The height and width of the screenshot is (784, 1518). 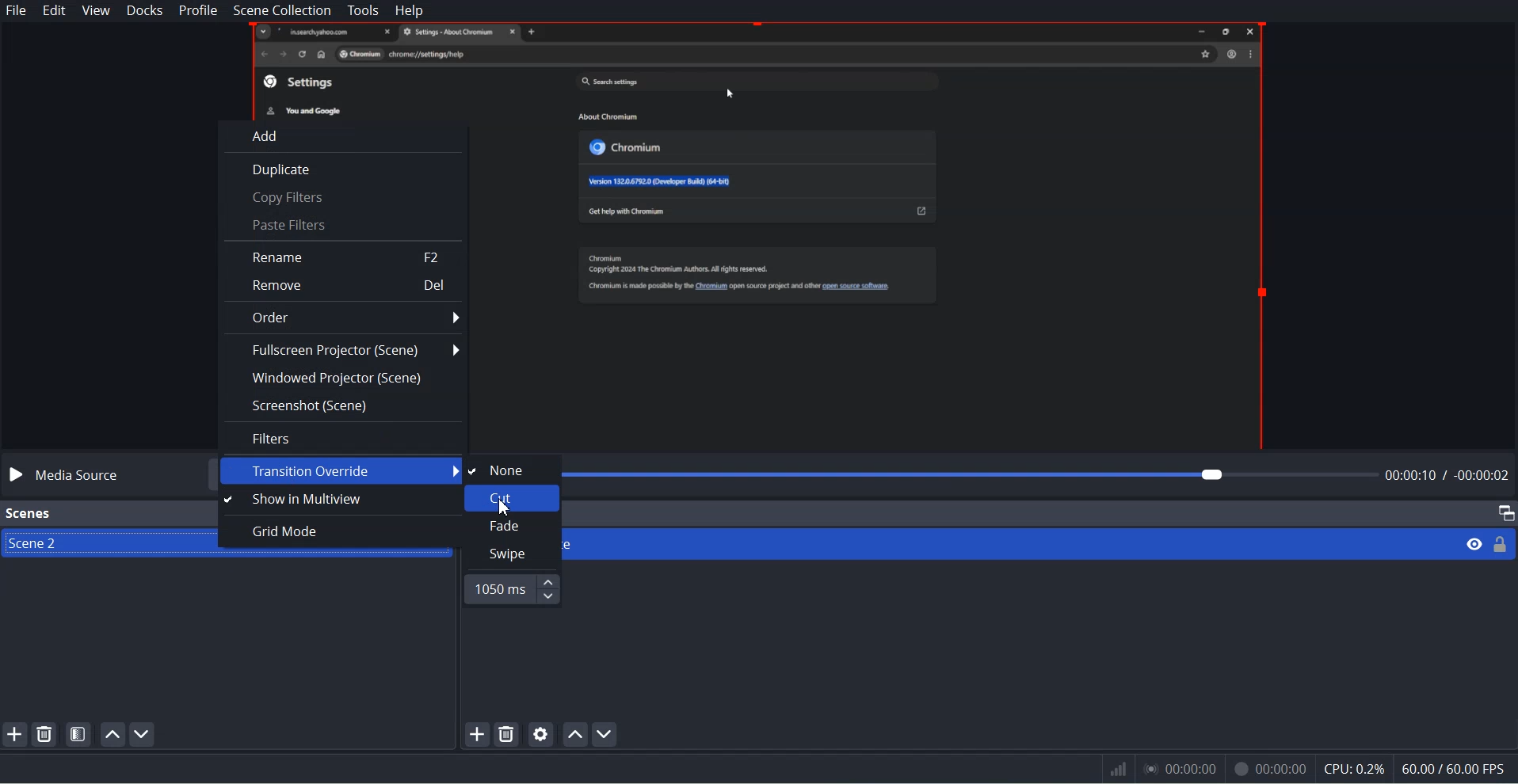 I want to click on Maximize, so click(x=1505, y=512).